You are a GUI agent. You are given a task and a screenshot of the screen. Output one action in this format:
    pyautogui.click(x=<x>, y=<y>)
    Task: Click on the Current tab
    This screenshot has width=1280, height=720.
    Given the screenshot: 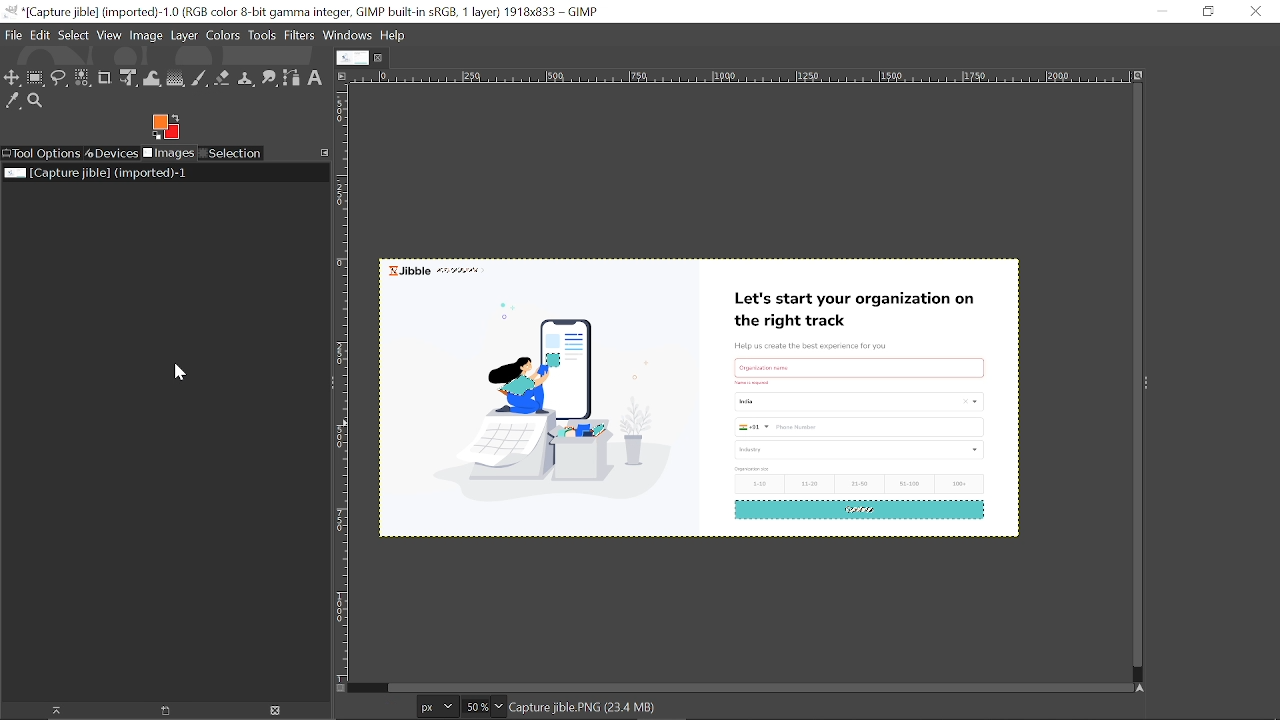 What is the action you would take?
    pyautogui.click(x=353, y=58)
    